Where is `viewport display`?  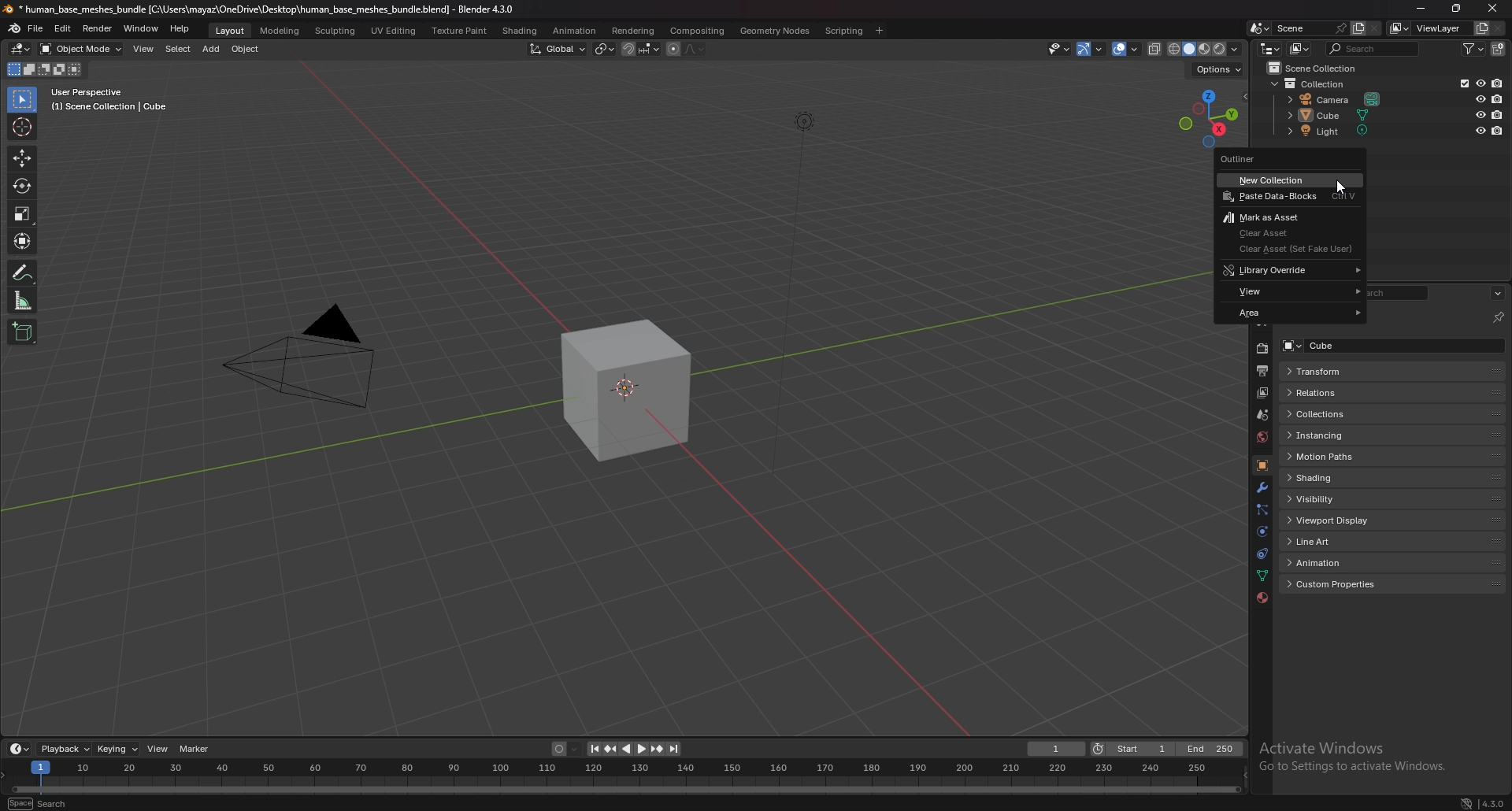
viewport display is located at coordinates (1343, 520).